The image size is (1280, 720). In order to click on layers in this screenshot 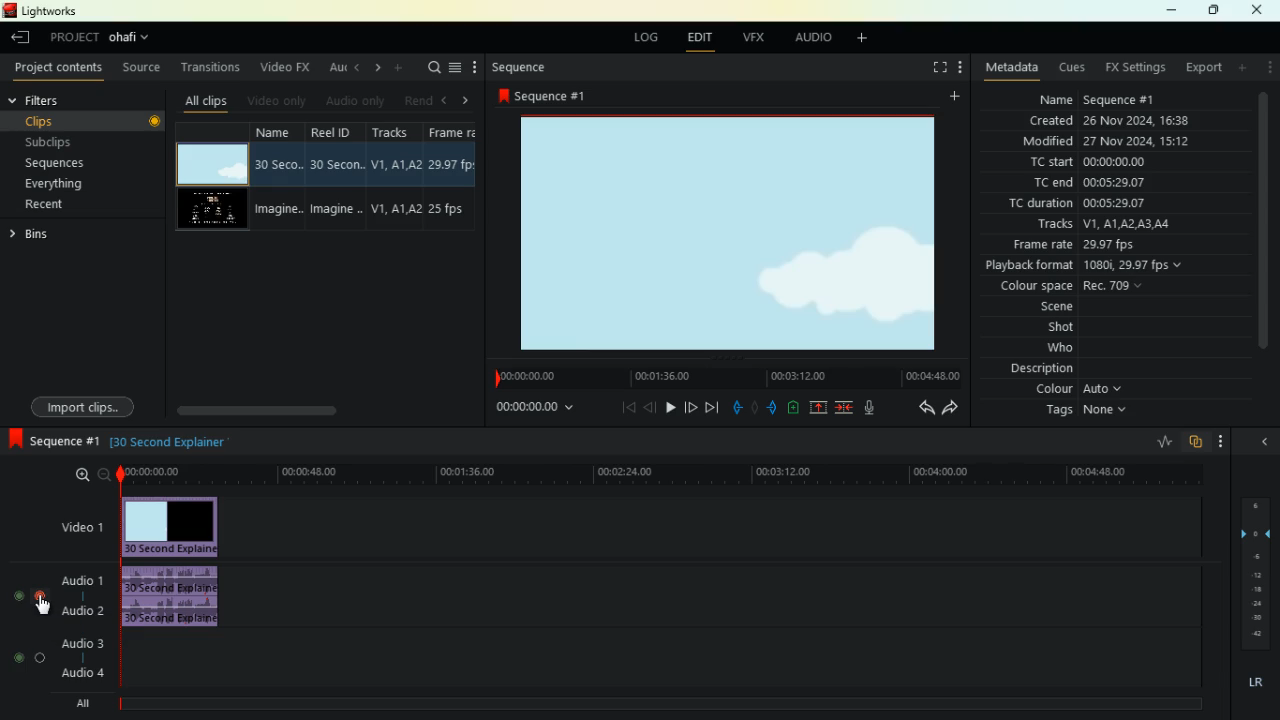, I will do `click(1261, 573)`.